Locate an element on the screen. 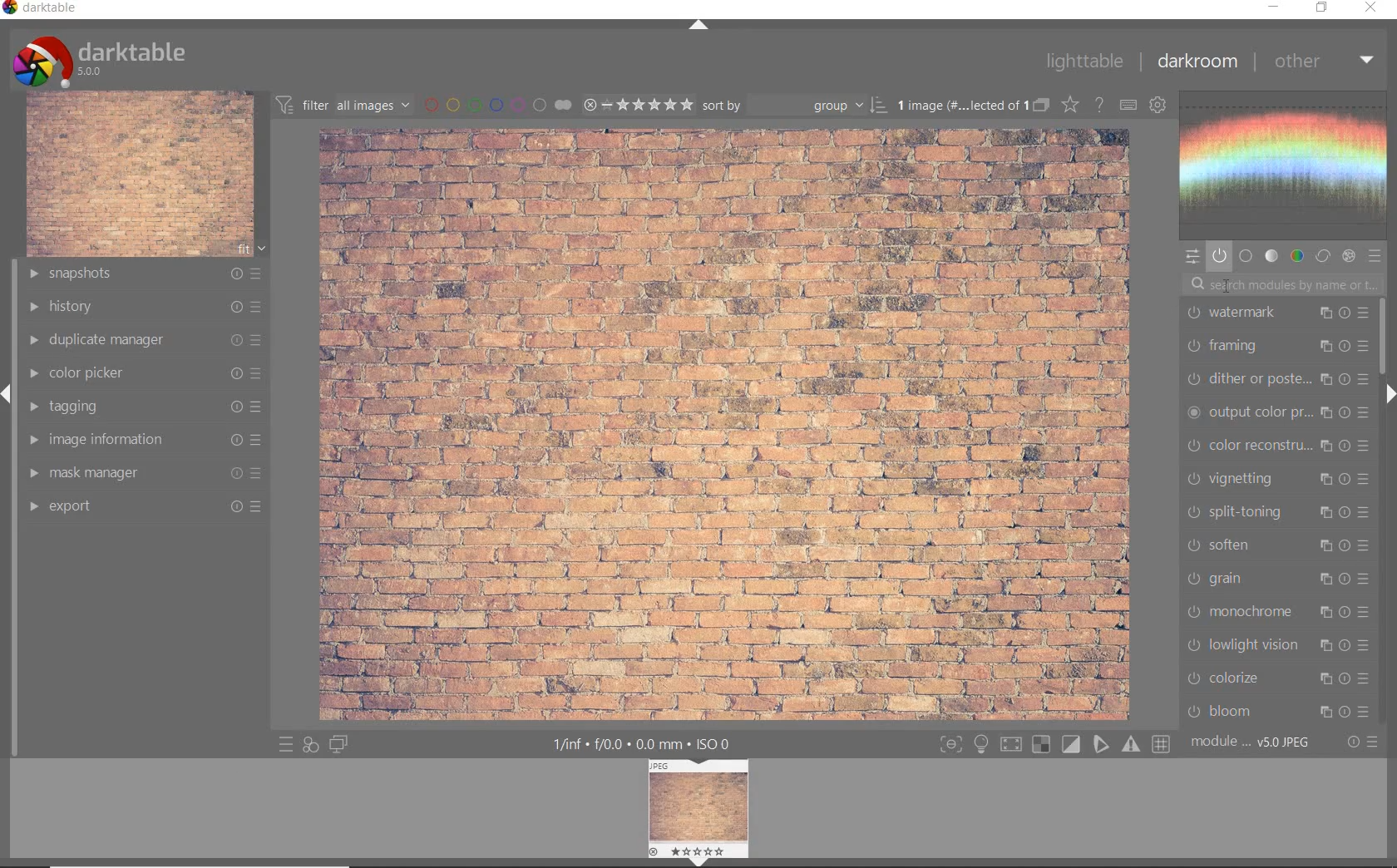  reset or preset preference is located at coordinates (1360, 742).